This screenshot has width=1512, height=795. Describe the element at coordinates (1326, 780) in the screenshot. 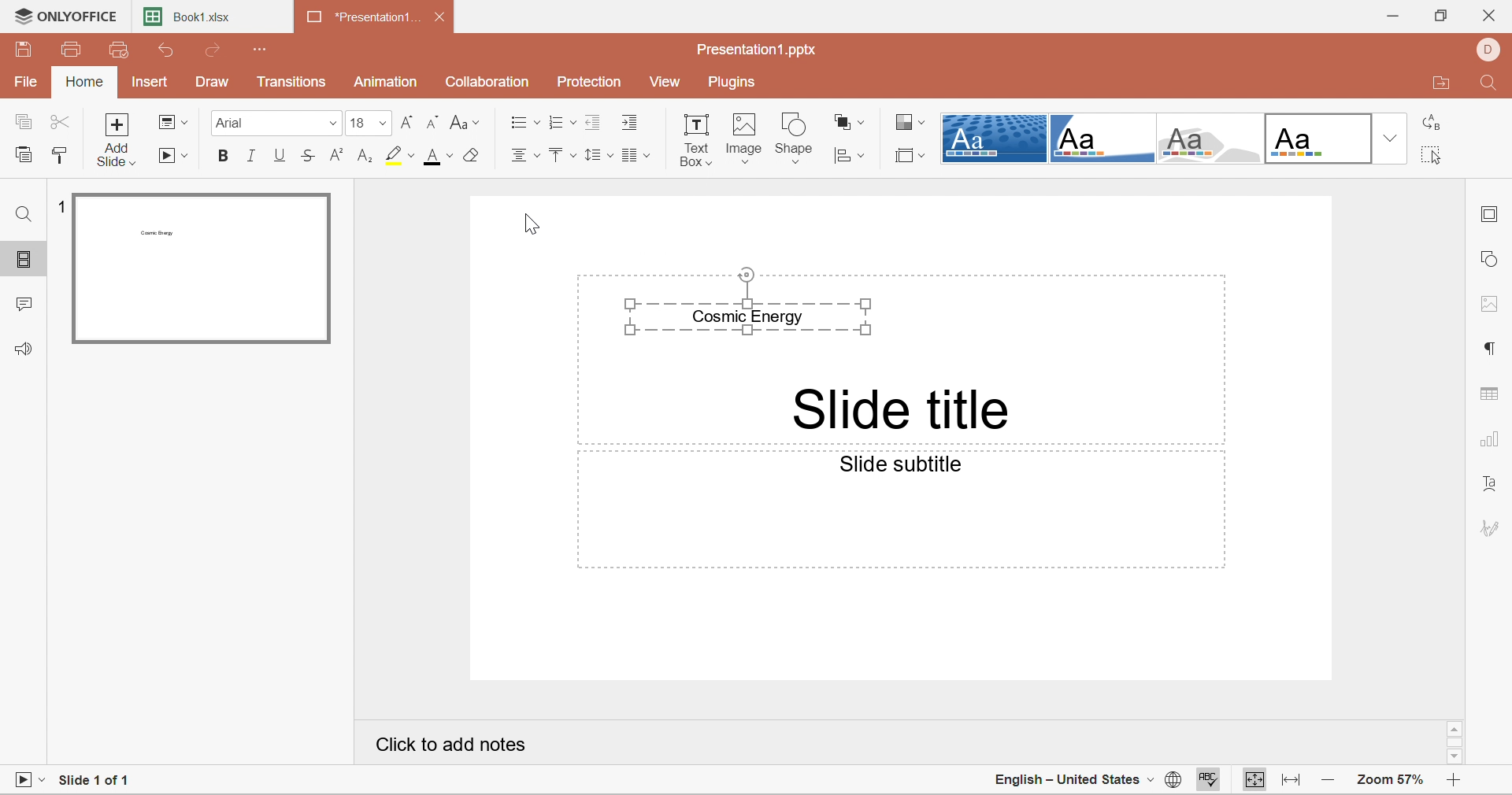

I see `Zoom out` at that location.